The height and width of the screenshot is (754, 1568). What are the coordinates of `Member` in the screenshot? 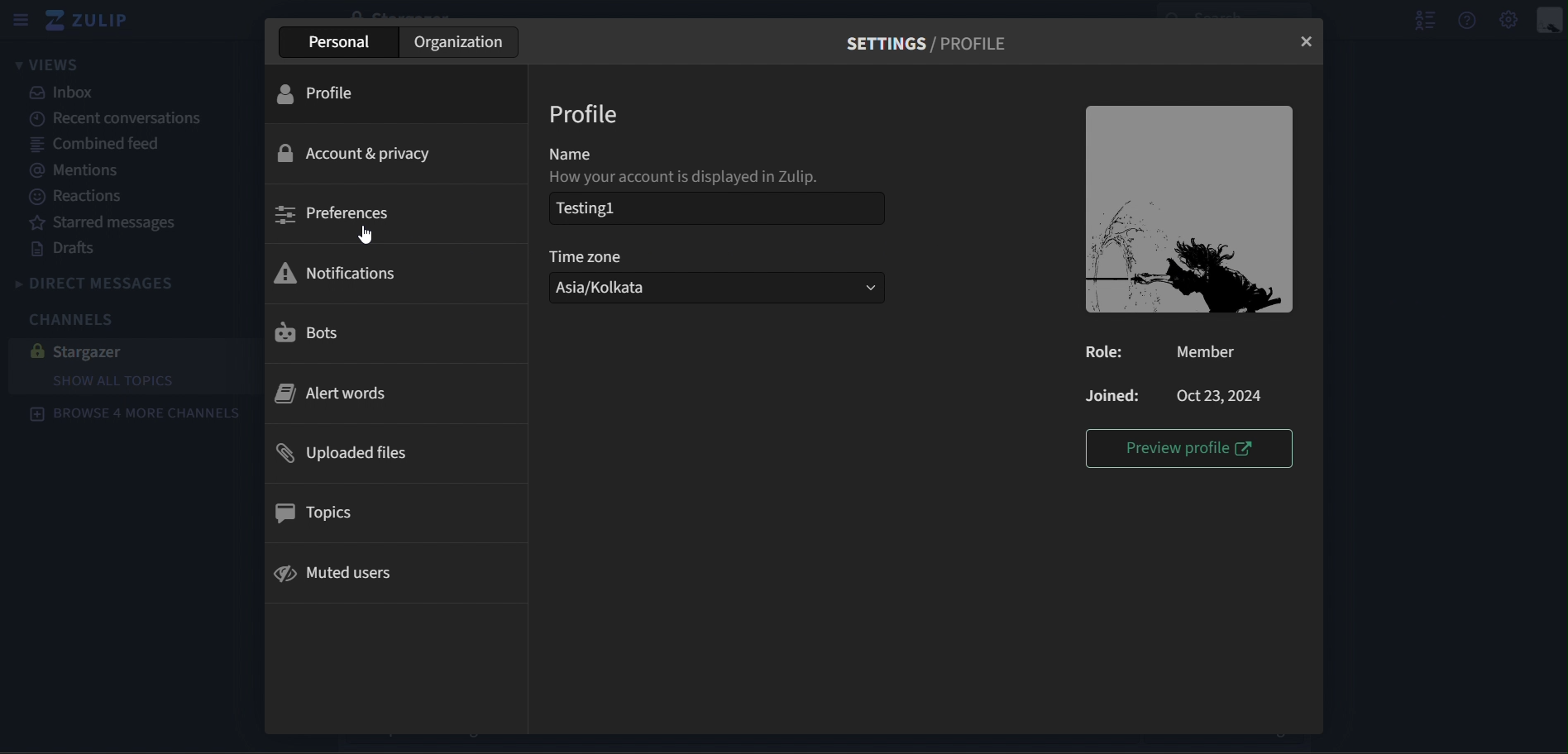 It's located at (1218, 351).